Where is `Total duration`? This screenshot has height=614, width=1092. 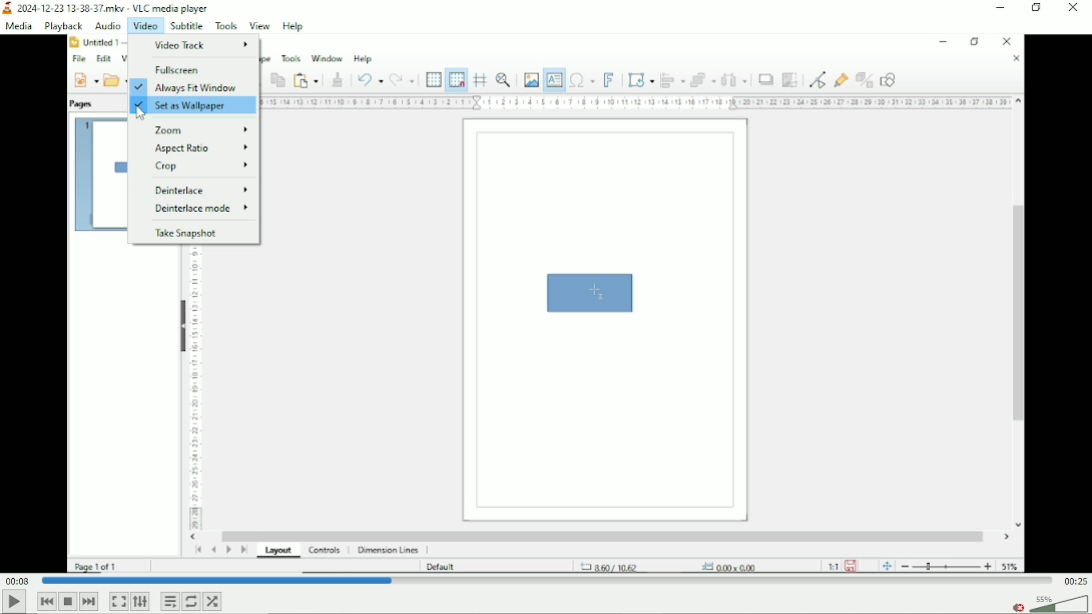
Total duration is located at coordinates (1074, 580).